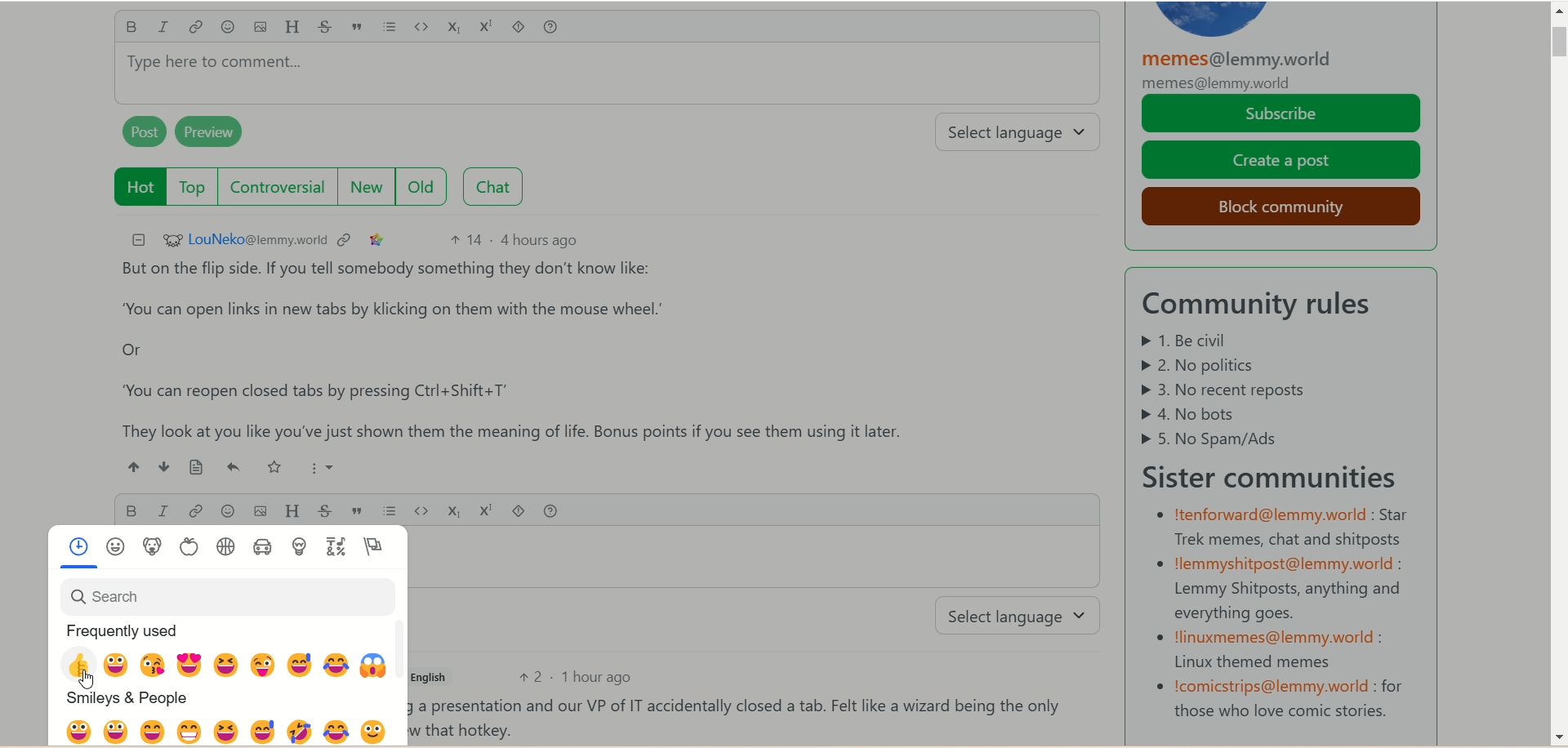 The image size is (1568, 748). I want to click on Community rules listed, so click(1258, 390).